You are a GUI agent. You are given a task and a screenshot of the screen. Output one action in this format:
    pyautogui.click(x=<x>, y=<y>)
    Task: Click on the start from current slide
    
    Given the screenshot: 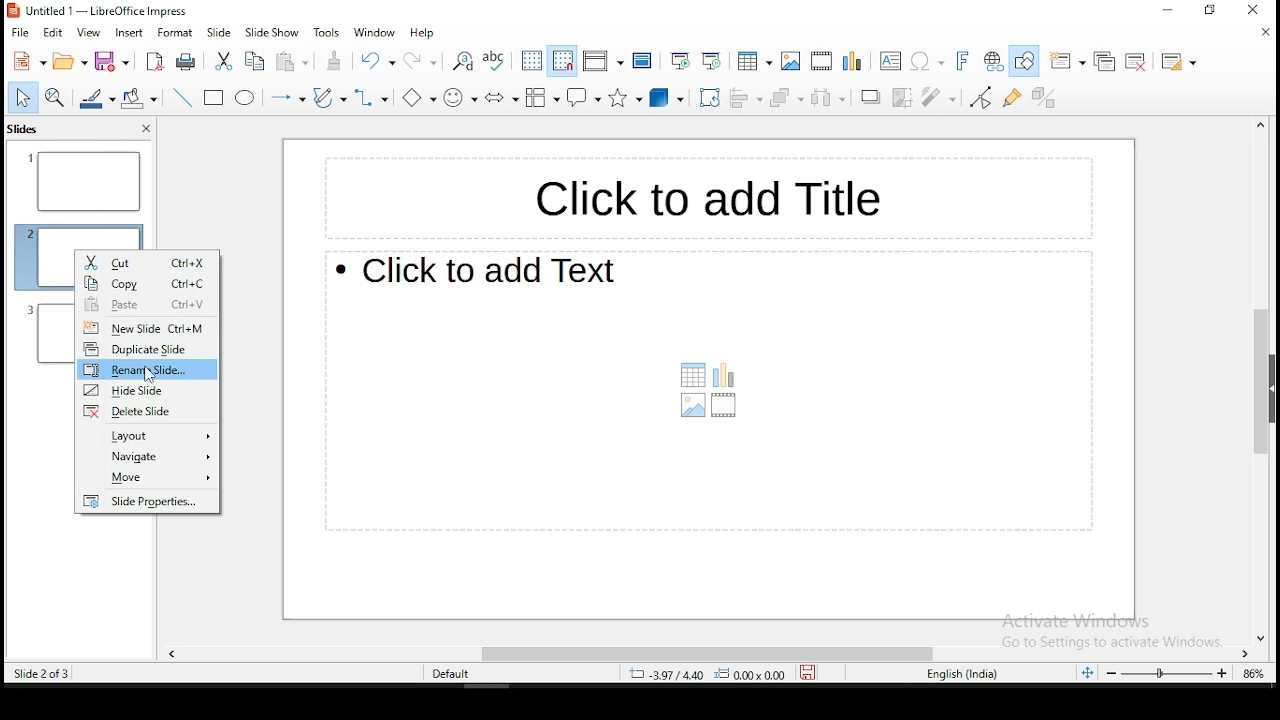 What is the action you would take?
    pyautogui.click(x=713, y=62)
    